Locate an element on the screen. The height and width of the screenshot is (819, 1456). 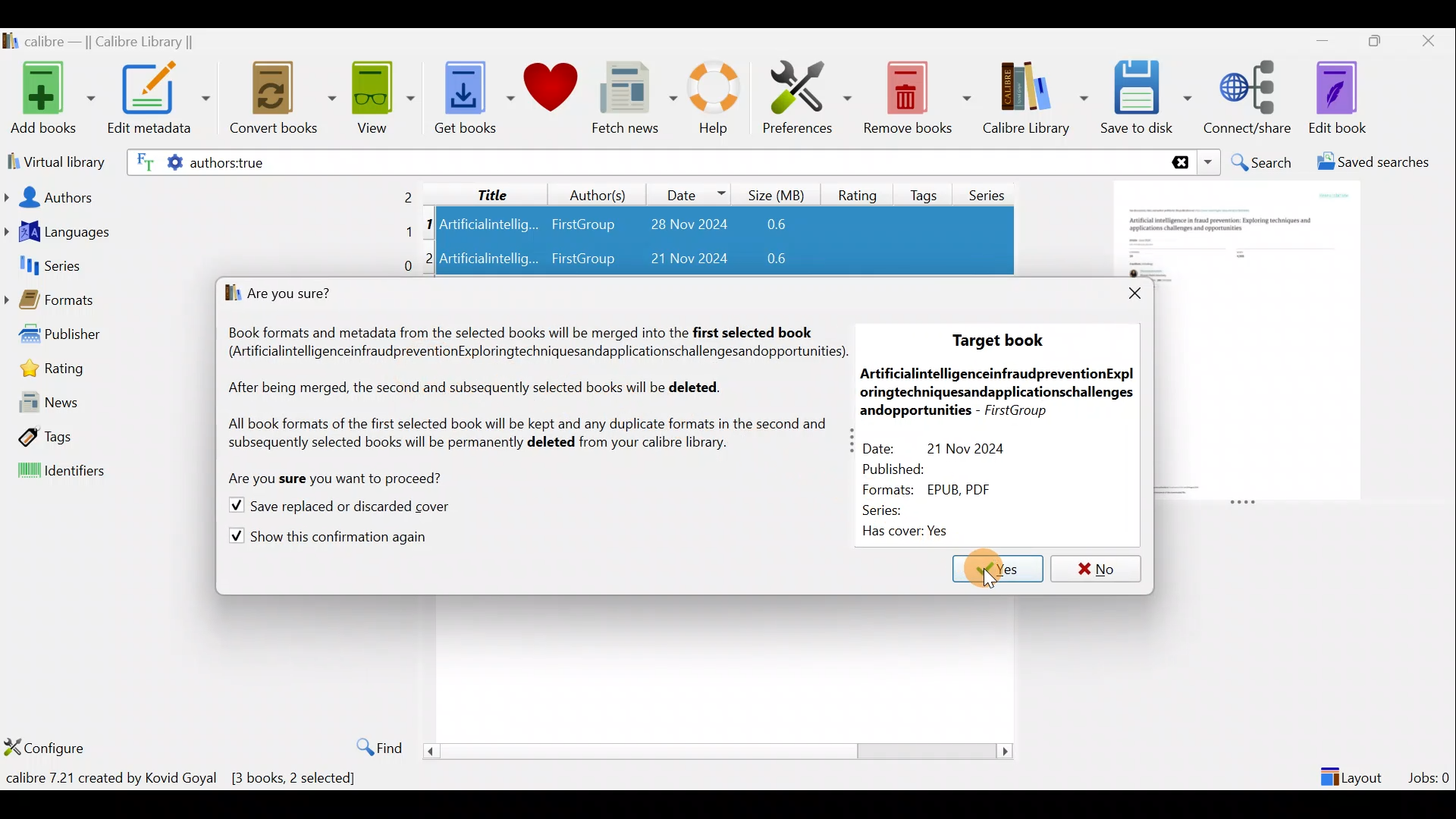
1 is located at coordinates (429, 225).